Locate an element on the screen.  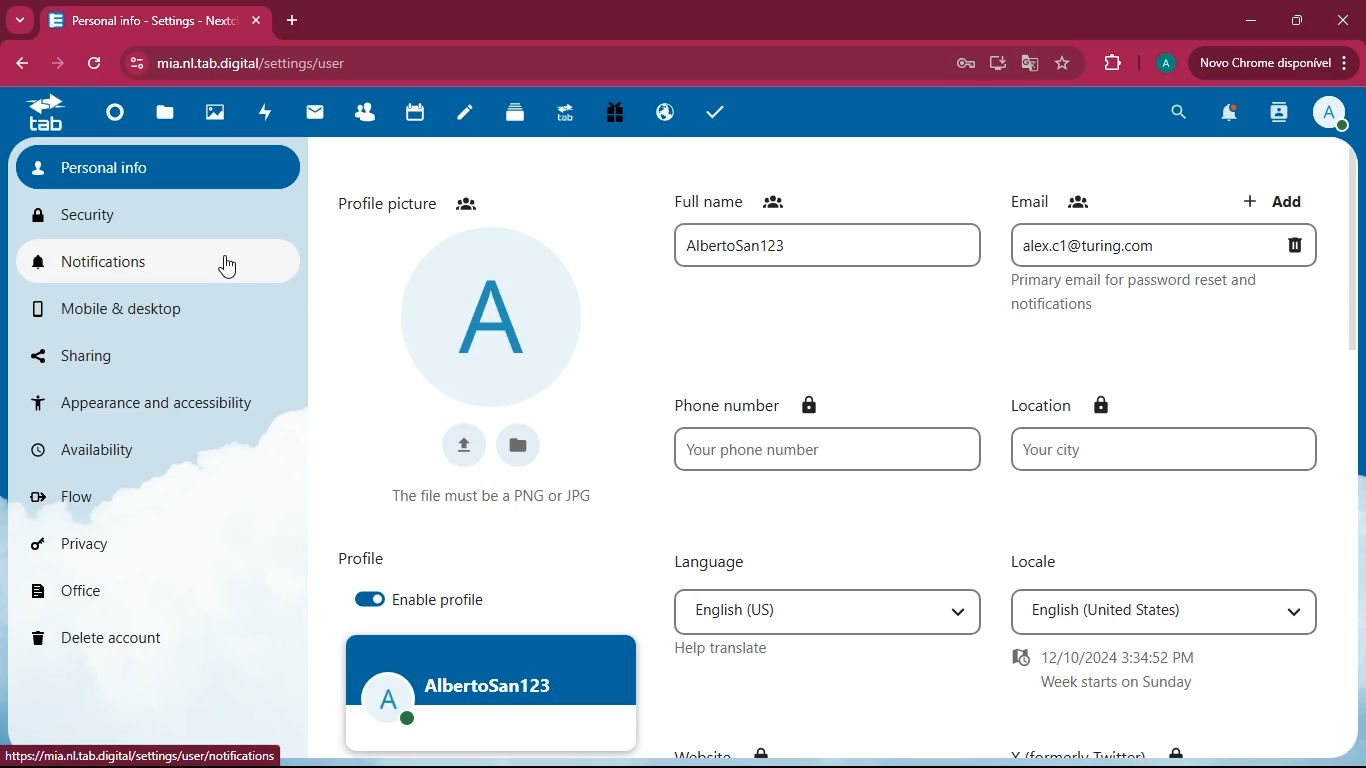
language is located at coordinates (821, 610).